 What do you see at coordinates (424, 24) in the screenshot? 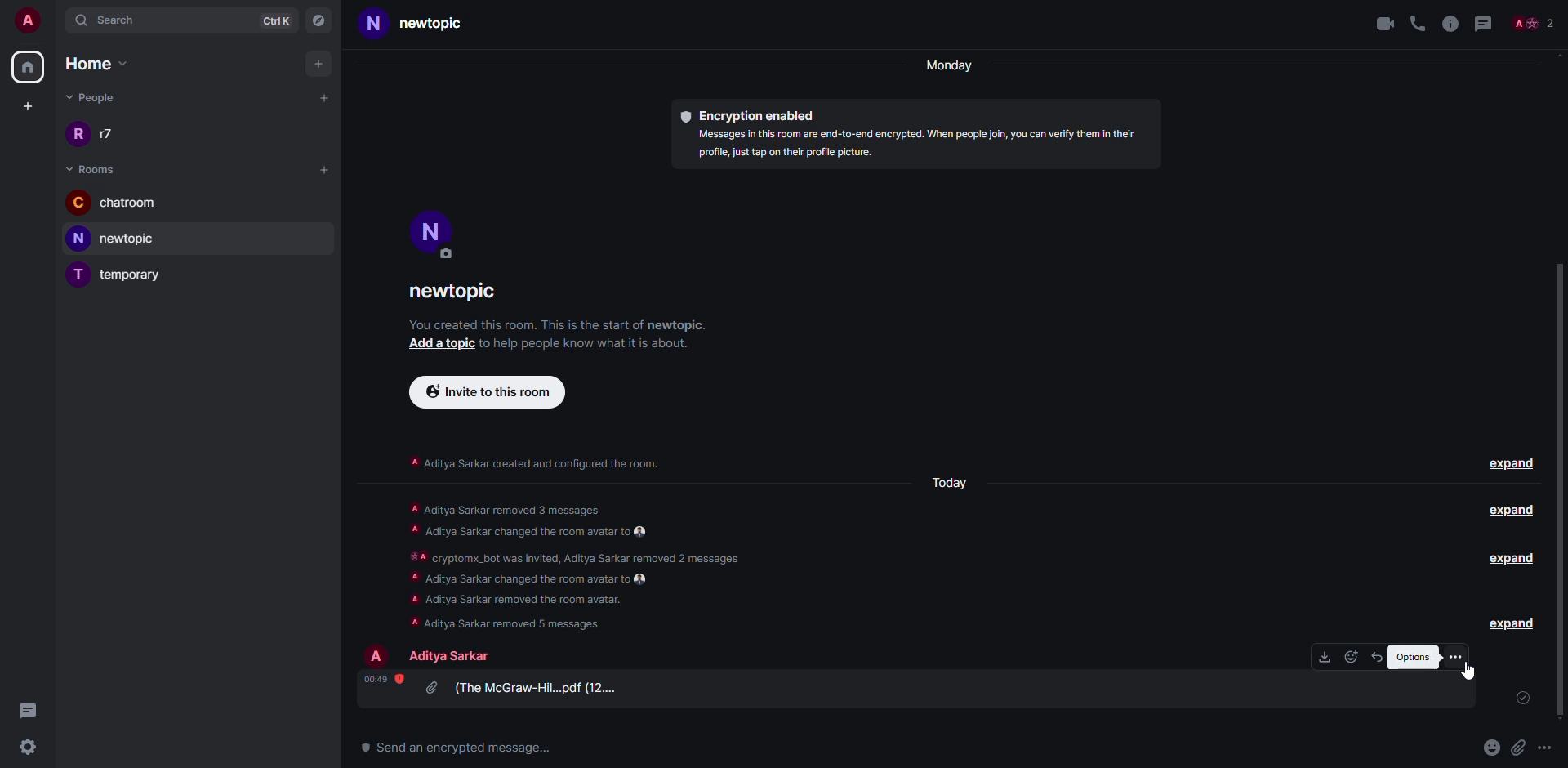
I see `new topic` at bounding box center [424, 24].